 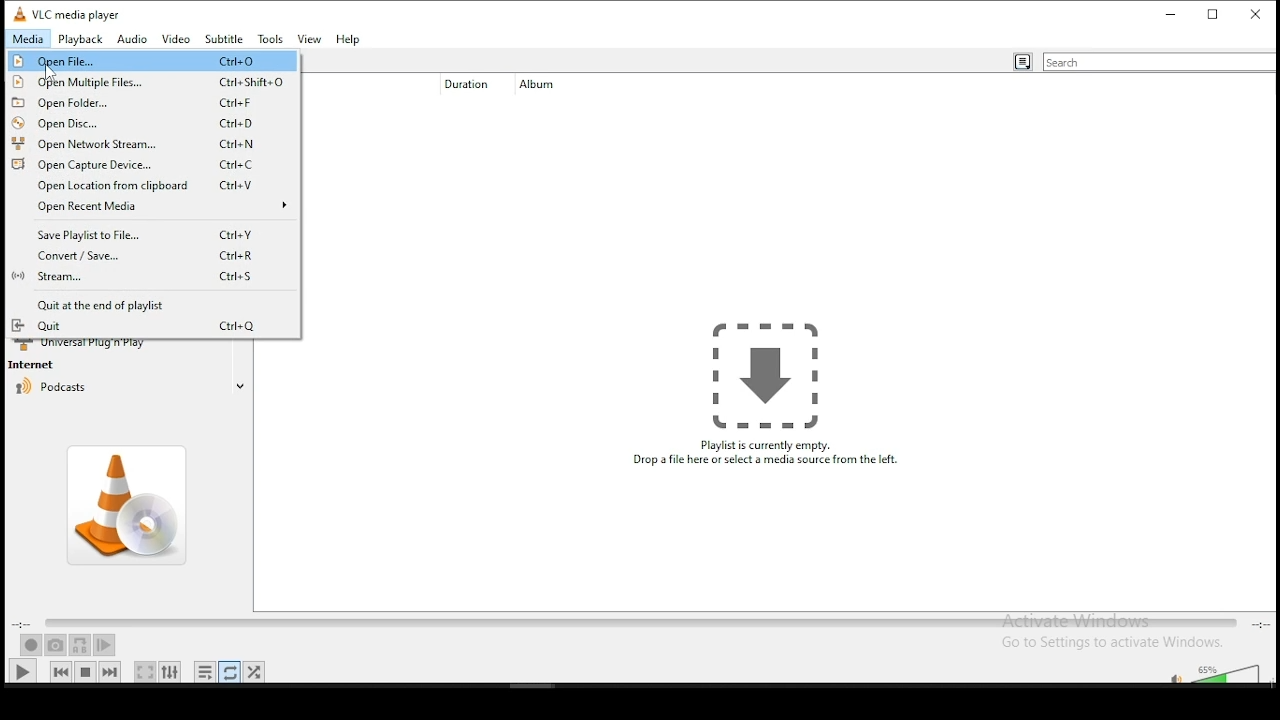 I want to click on next media in the playlist, skips forward when held, so click(x=112, y=671).